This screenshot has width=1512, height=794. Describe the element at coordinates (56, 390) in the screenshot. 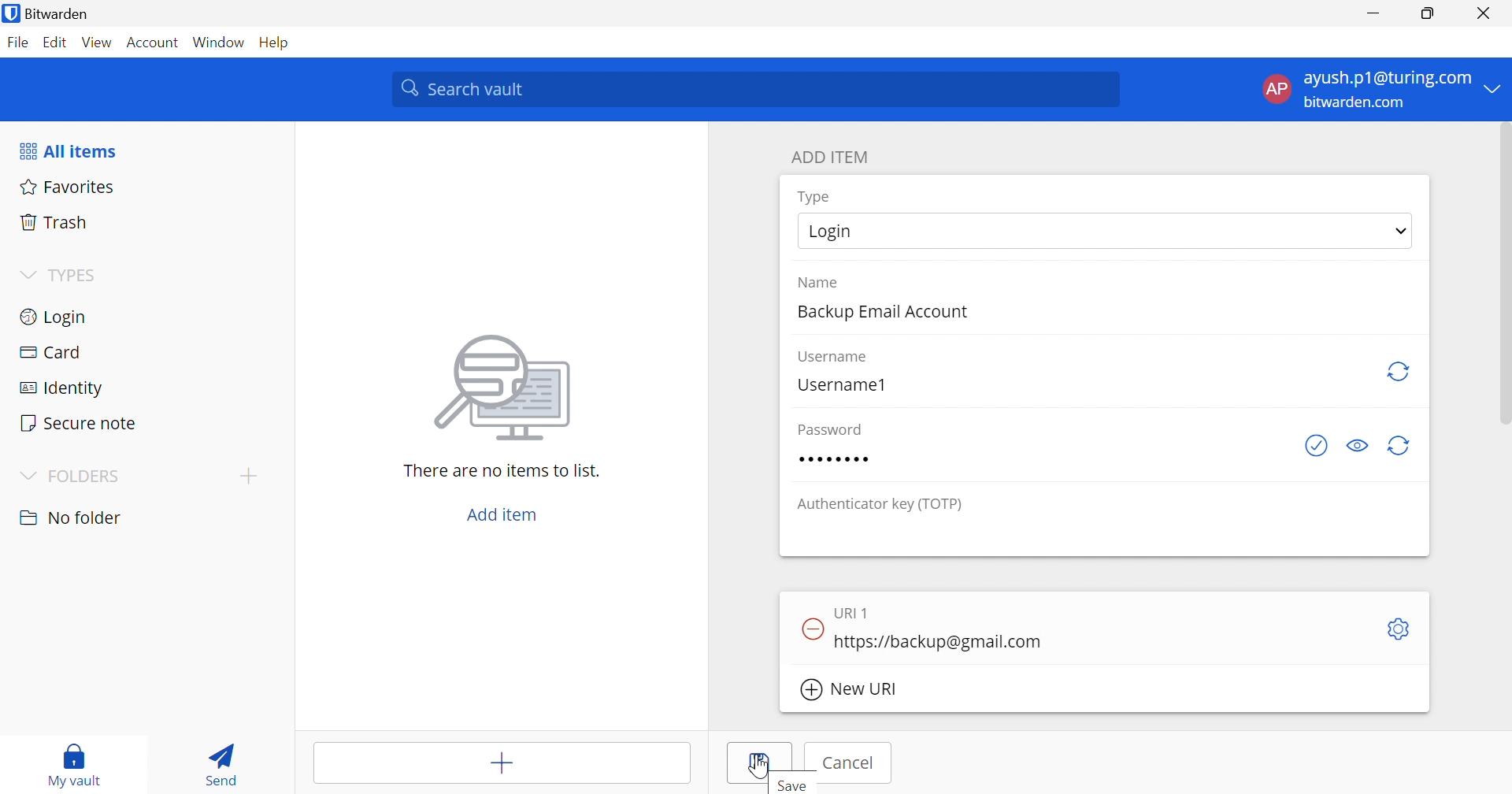

I see `Identity` at that location.